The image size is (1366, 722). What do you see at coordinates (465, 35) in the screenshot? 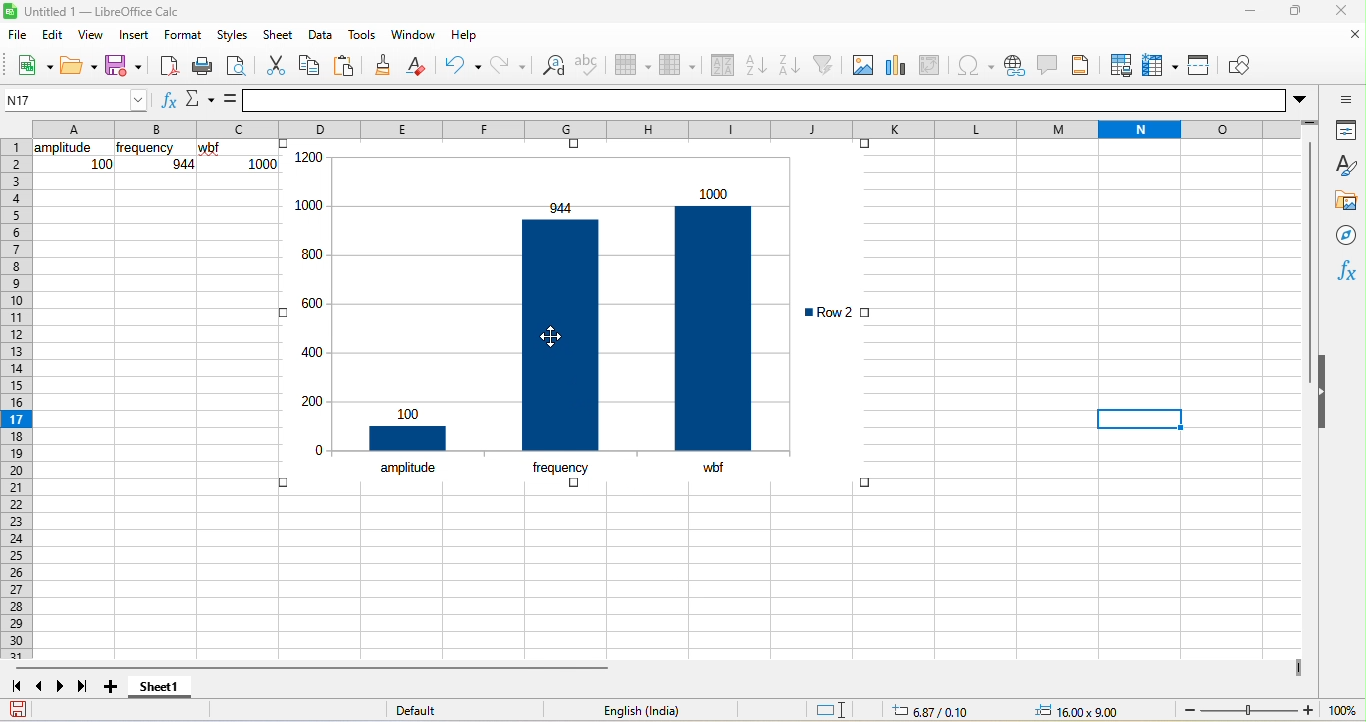
I see `help` at bounding box center [465, 35].